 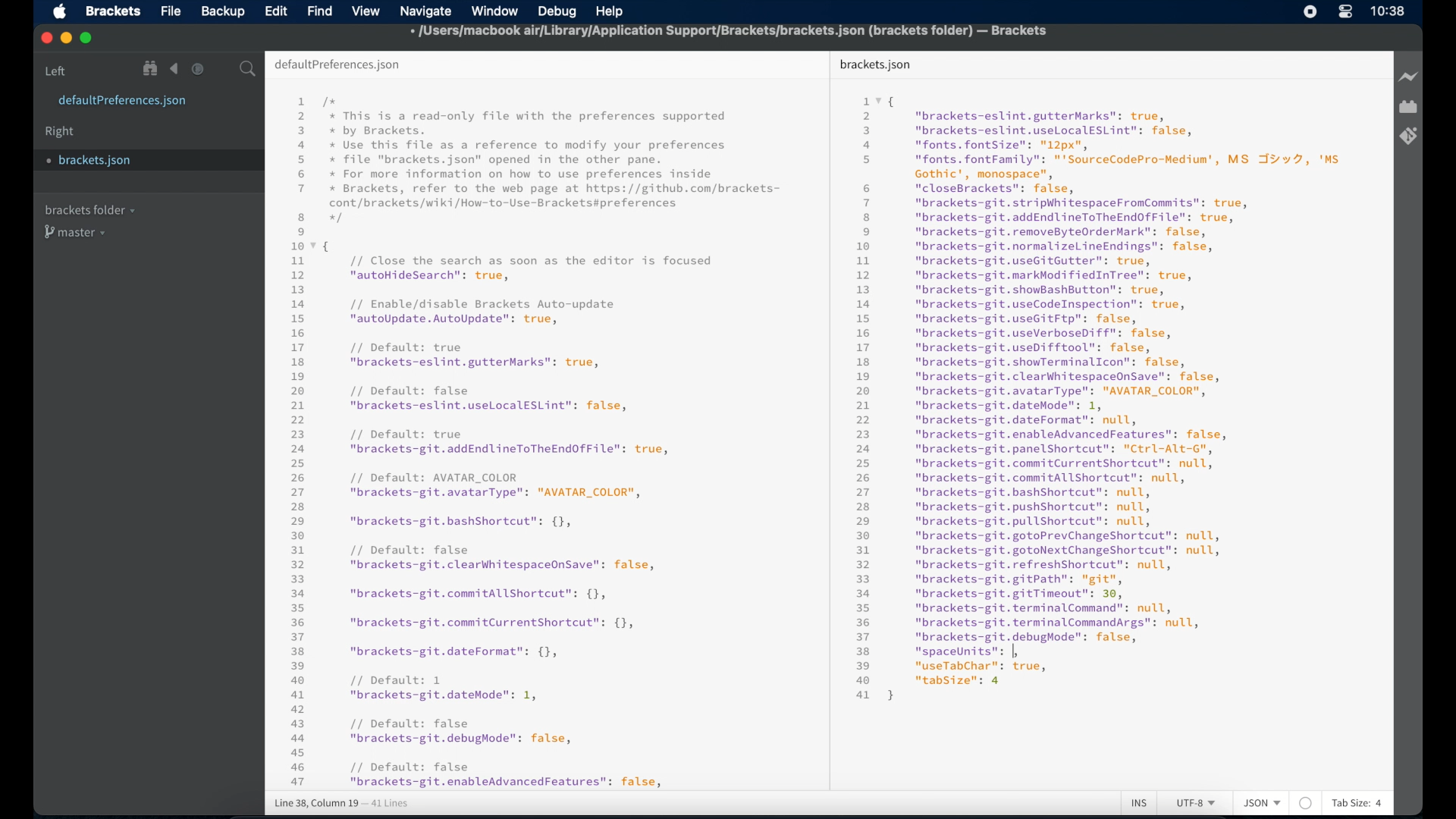 What do you see at coordinates (826, 419) in the screenshot?
I see `divider` at bounding box center [826, 419].